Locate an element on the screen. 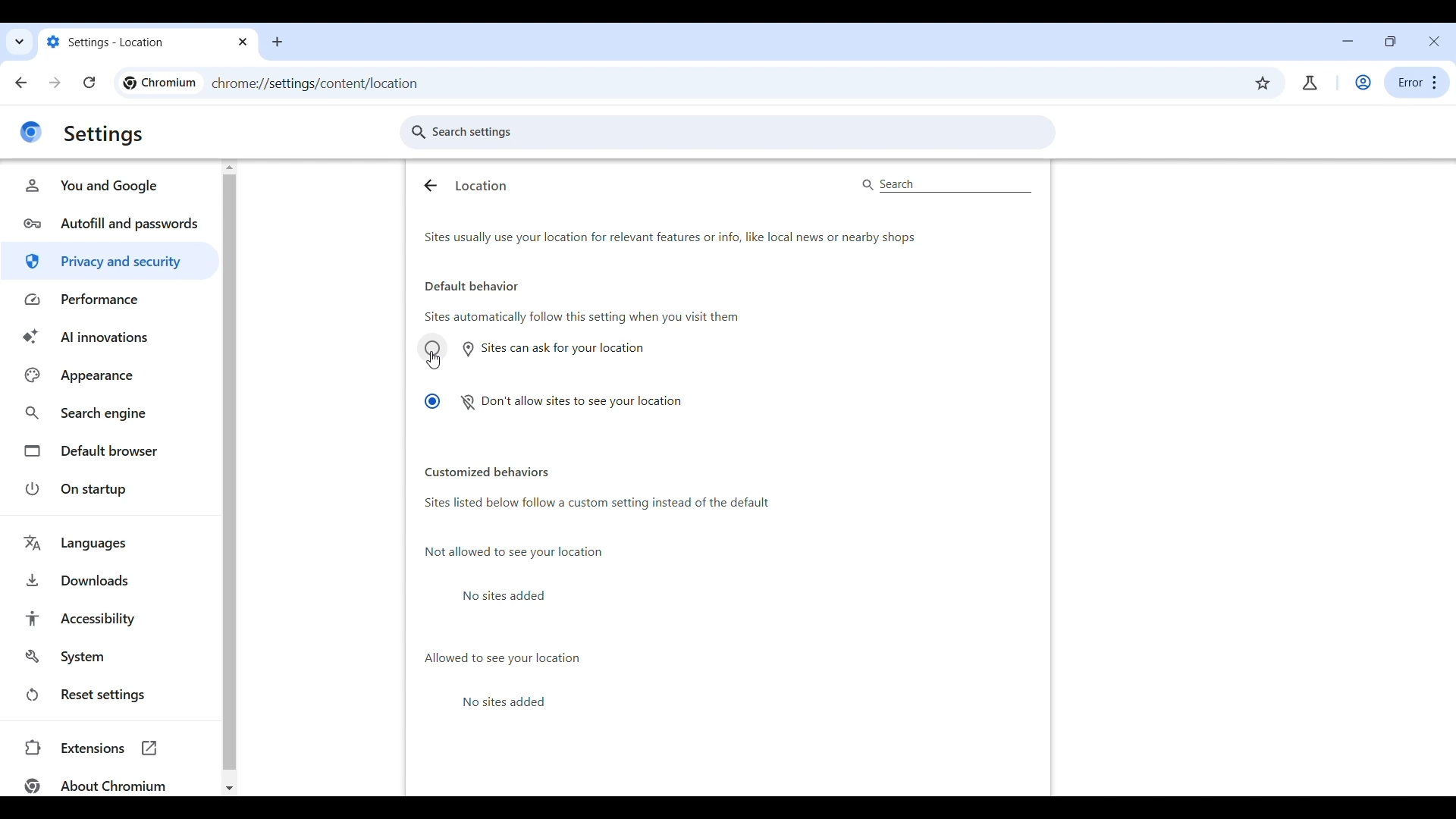 The image size is (1456, 819). customized behaviors  is located at coordinates (488, 472).